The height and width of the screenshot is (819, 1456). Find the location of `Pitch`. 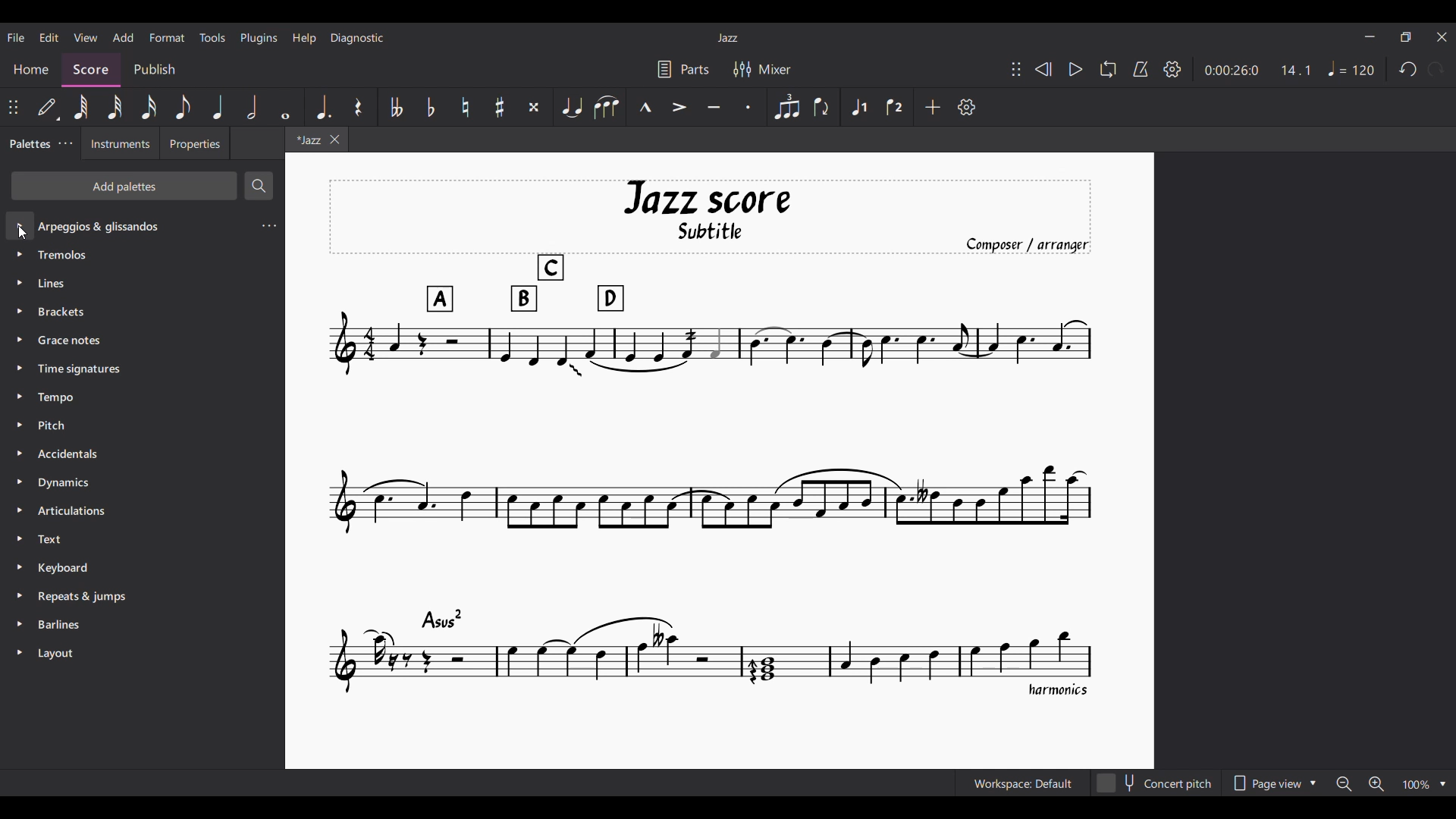

Pitch is located at coordinates (56, 426).